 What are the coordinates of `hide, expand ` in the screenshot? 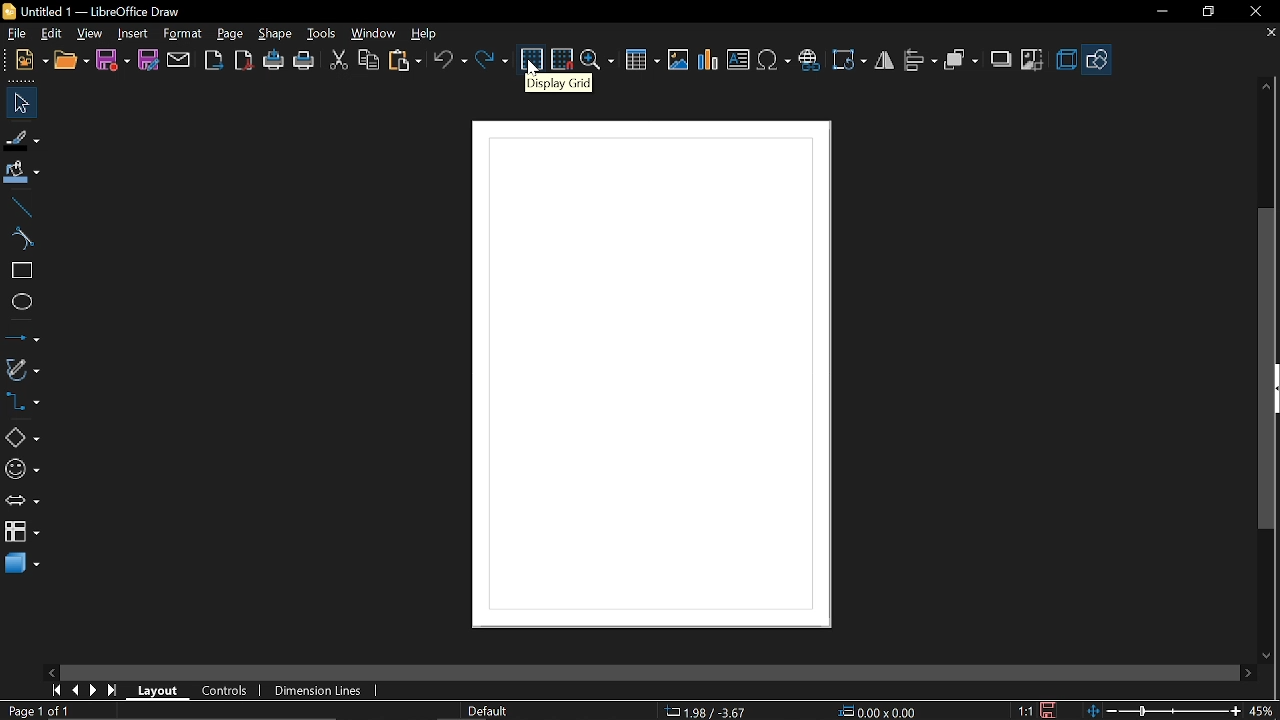 It's located at (1277, 389).